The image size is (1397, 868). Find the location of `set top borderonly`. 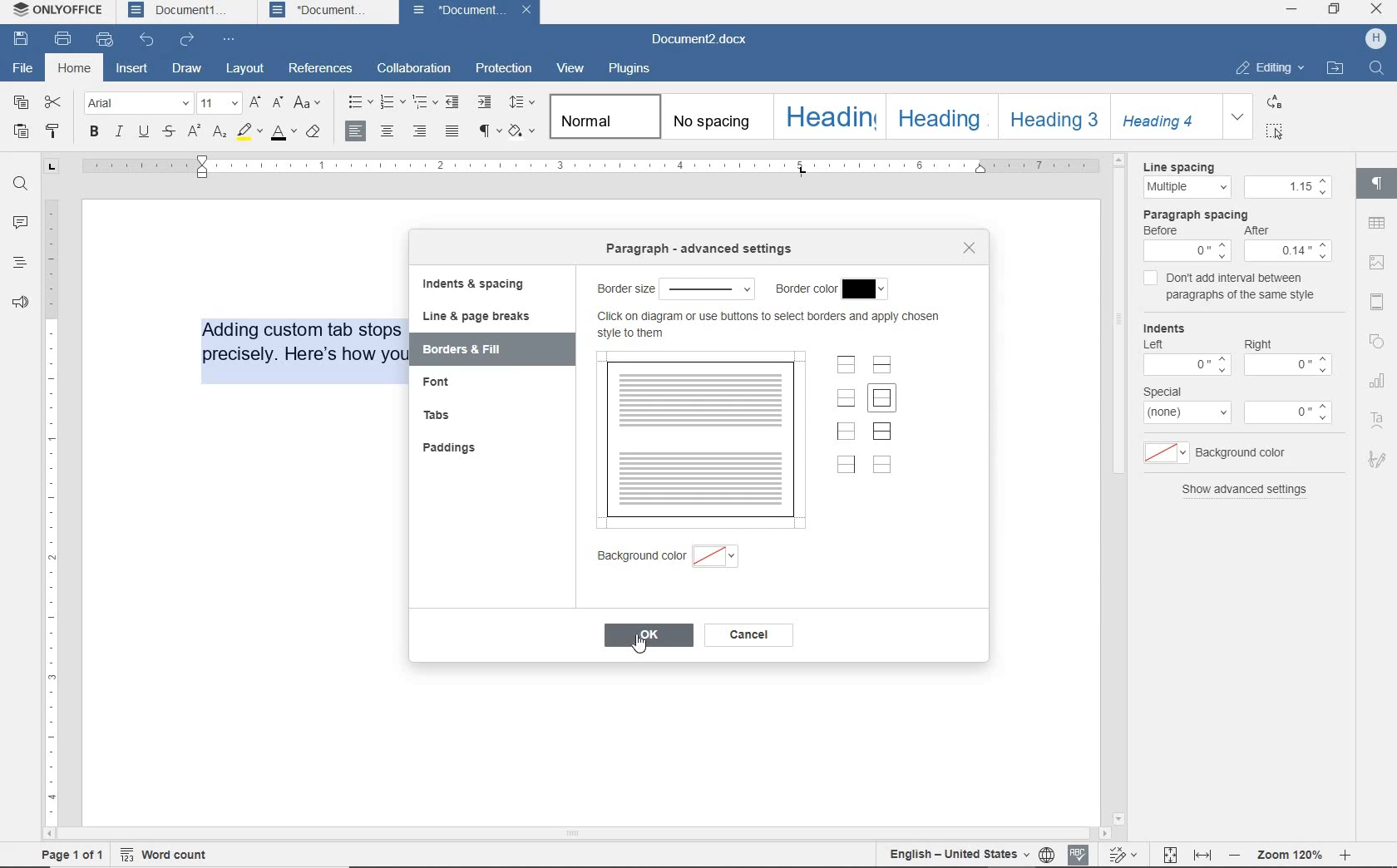

set top borderonly is located at coordinates (847, 367).